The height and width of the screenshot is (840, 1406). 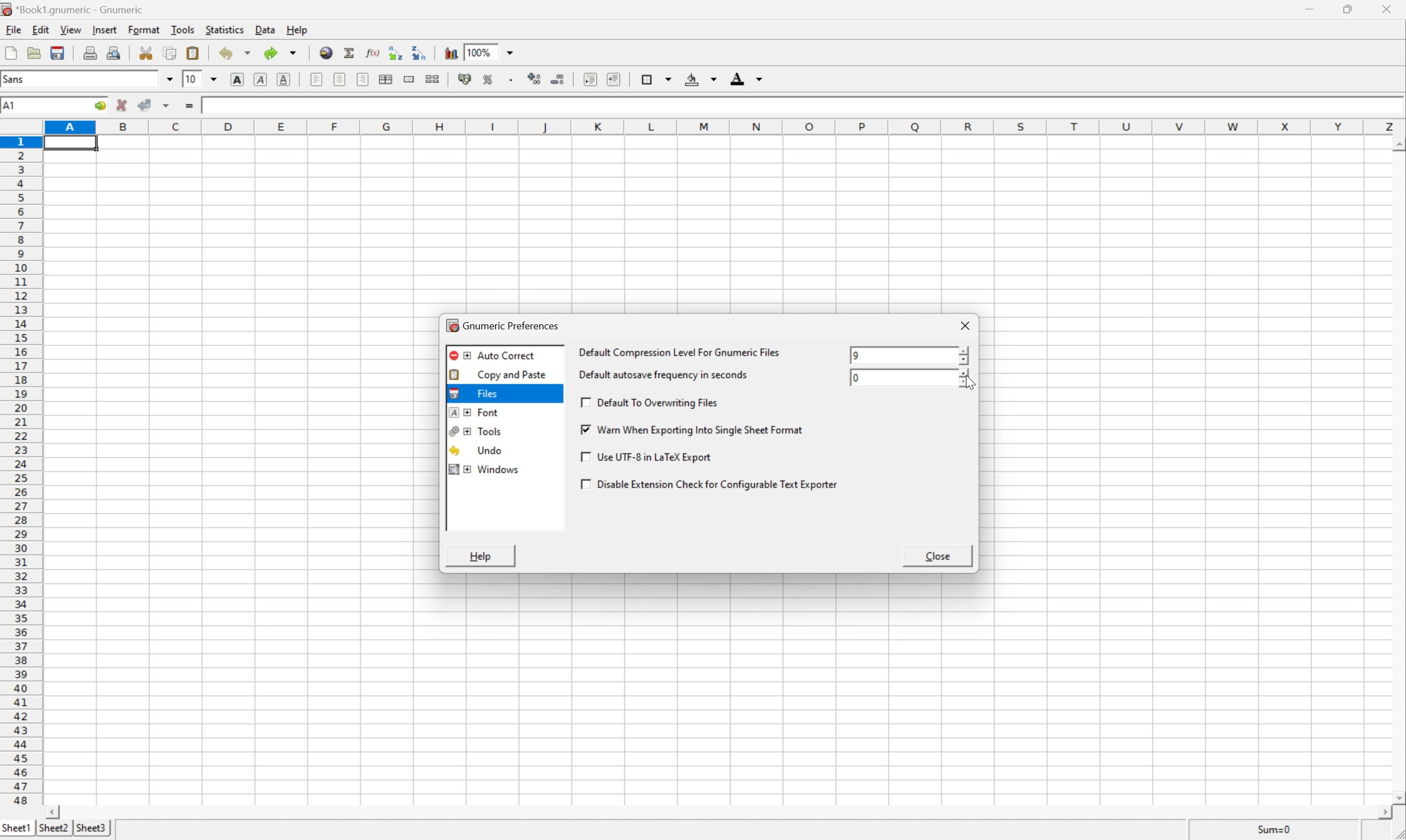 What do you see at coordinates (561, 78) in the screenshot?
I see `decrease numbers of decimals displayed` at bounding box center [561, 78].